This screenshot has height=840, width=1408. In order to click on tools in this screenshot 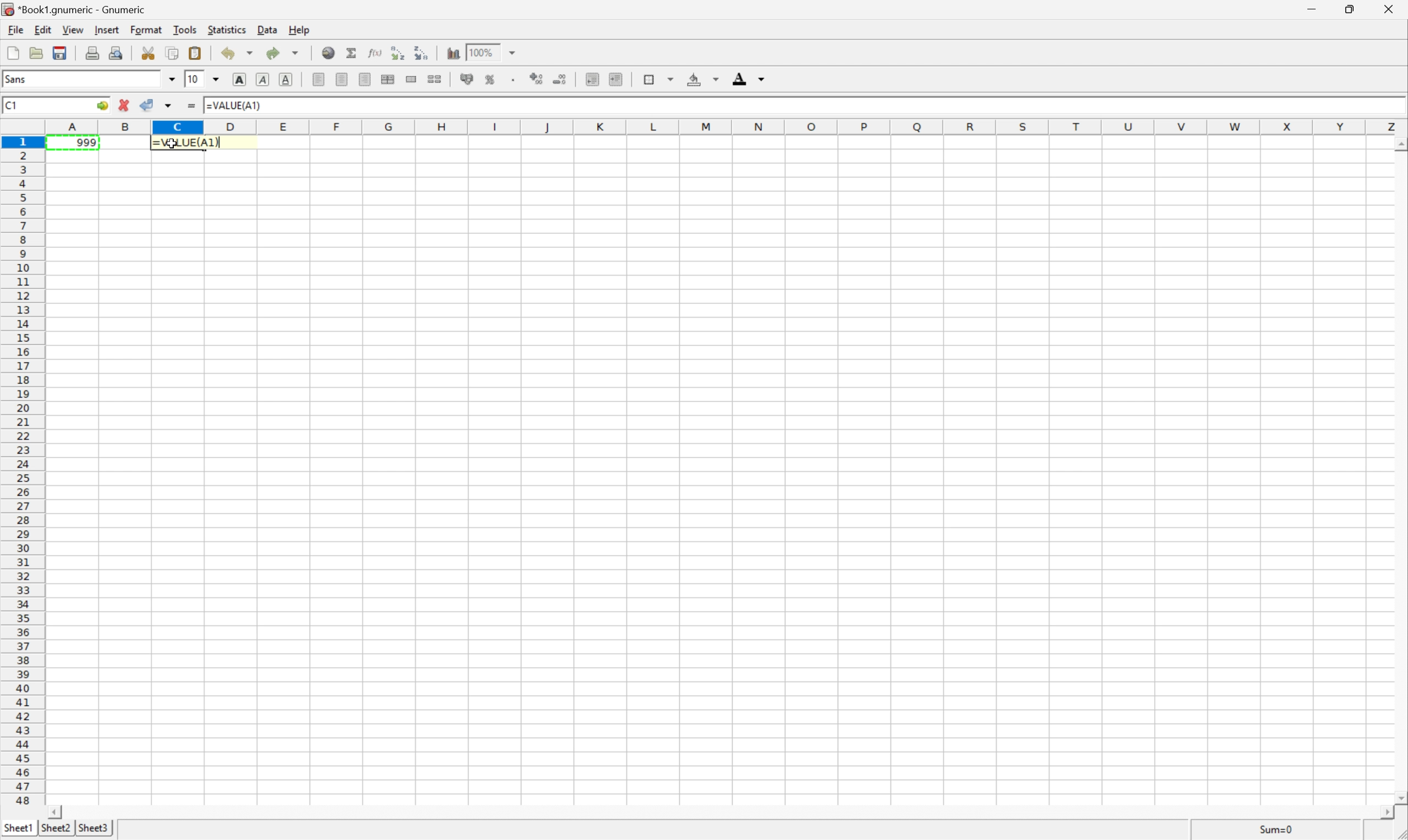, I will do `click(186, 31)`.